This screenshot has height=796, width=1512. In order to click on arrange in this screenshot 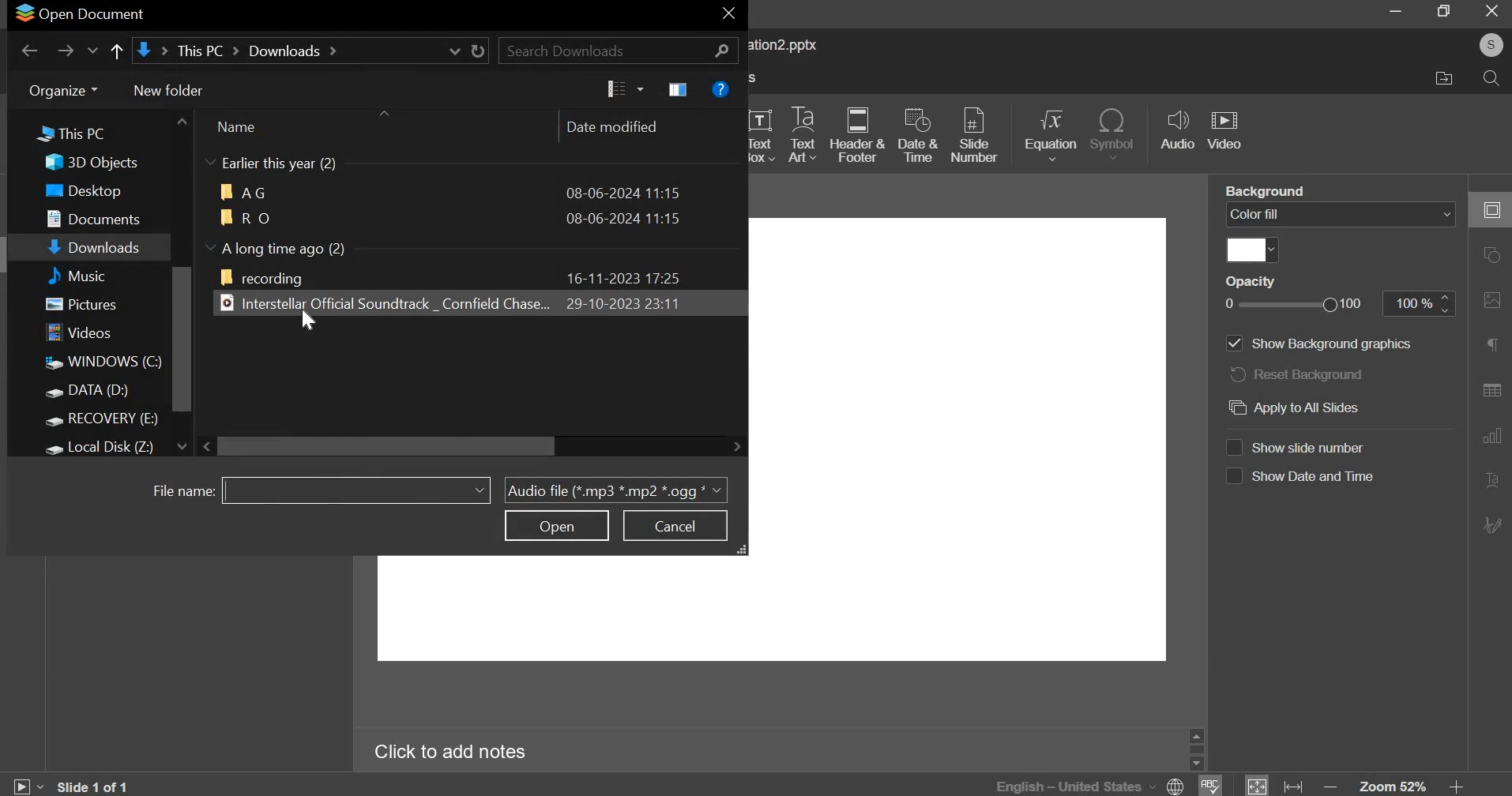, I will do `click(383, 113)`.